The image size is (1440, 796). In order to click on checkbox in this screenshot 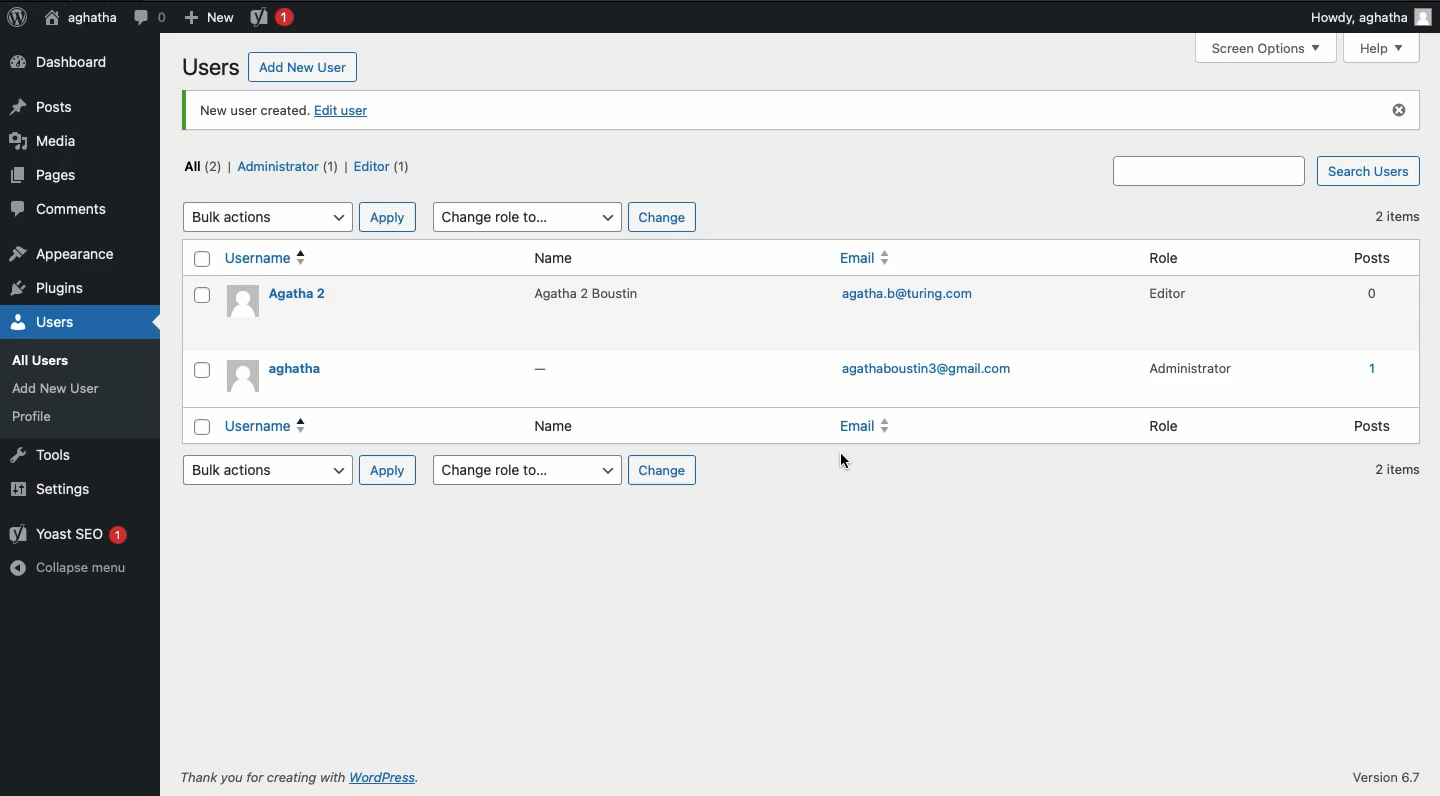, I will do `click(205, 426)`.